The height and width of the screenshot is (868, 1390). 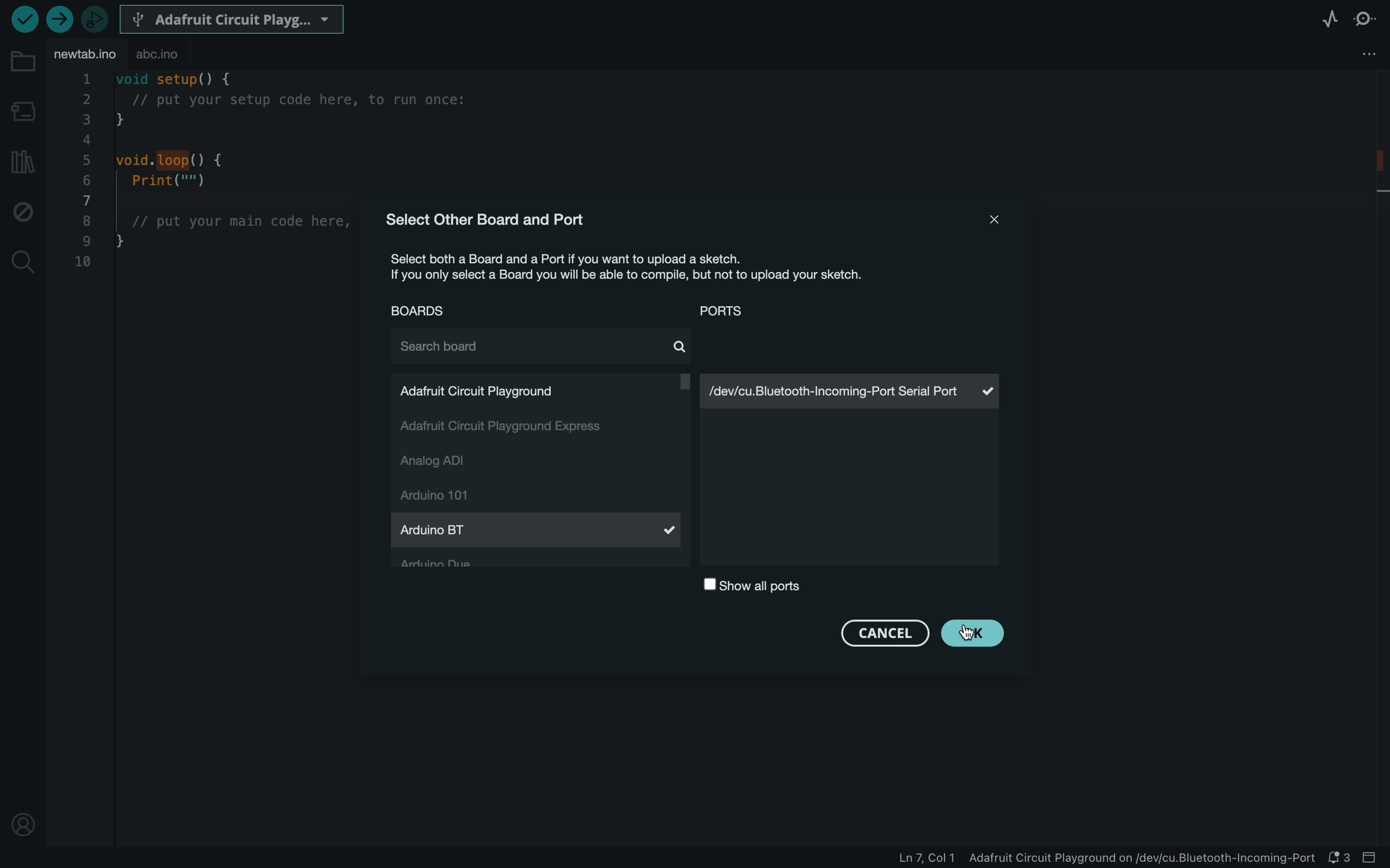 What do you see at coordinates (159, 55) in the screenshot?
I see `abc` at bounding box center [159, 55].